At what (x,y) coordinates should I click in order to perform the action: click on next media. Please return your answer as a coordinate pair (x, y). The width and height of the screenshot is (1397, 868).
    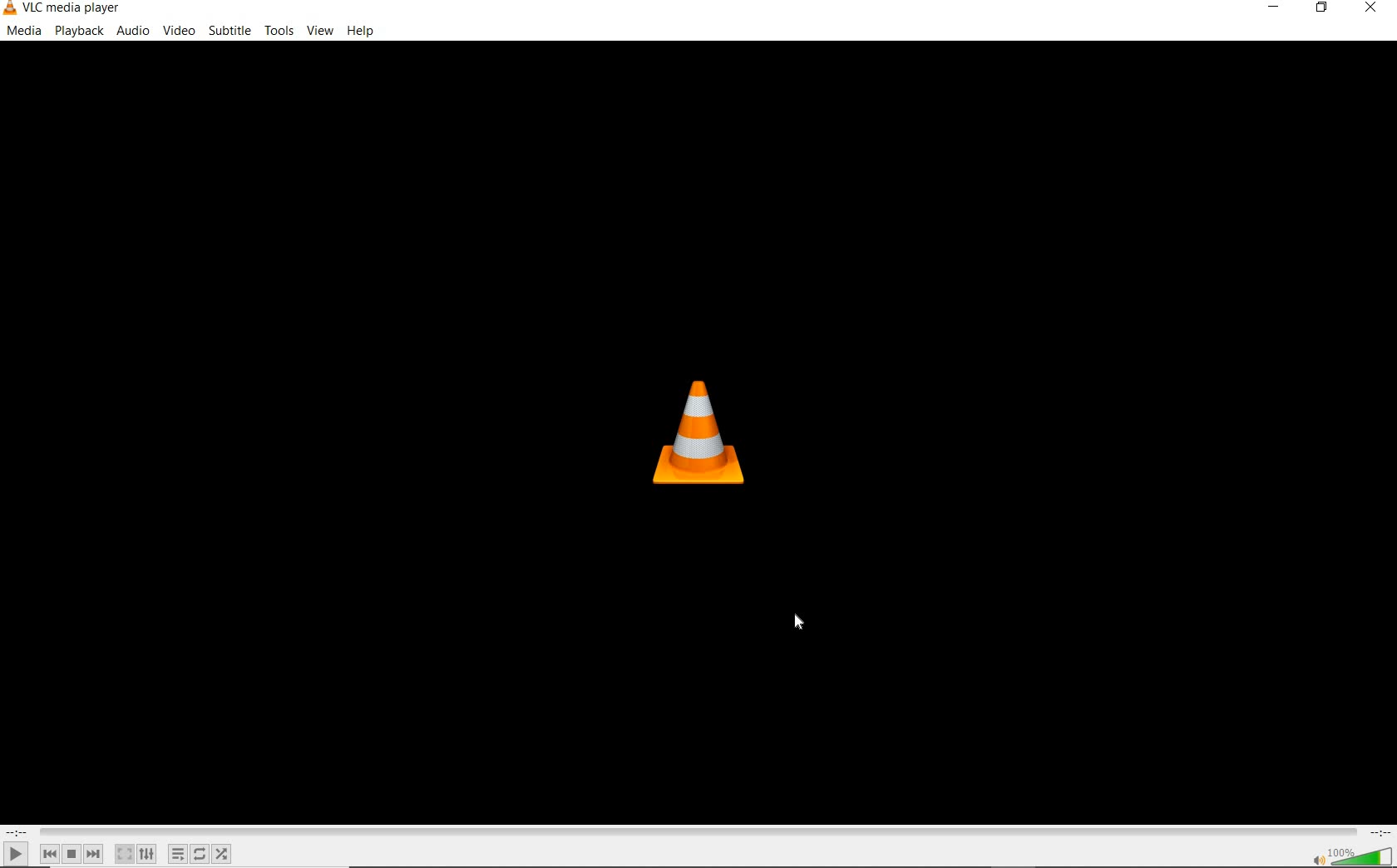
    Looking at the image, I should click on (95, 854).